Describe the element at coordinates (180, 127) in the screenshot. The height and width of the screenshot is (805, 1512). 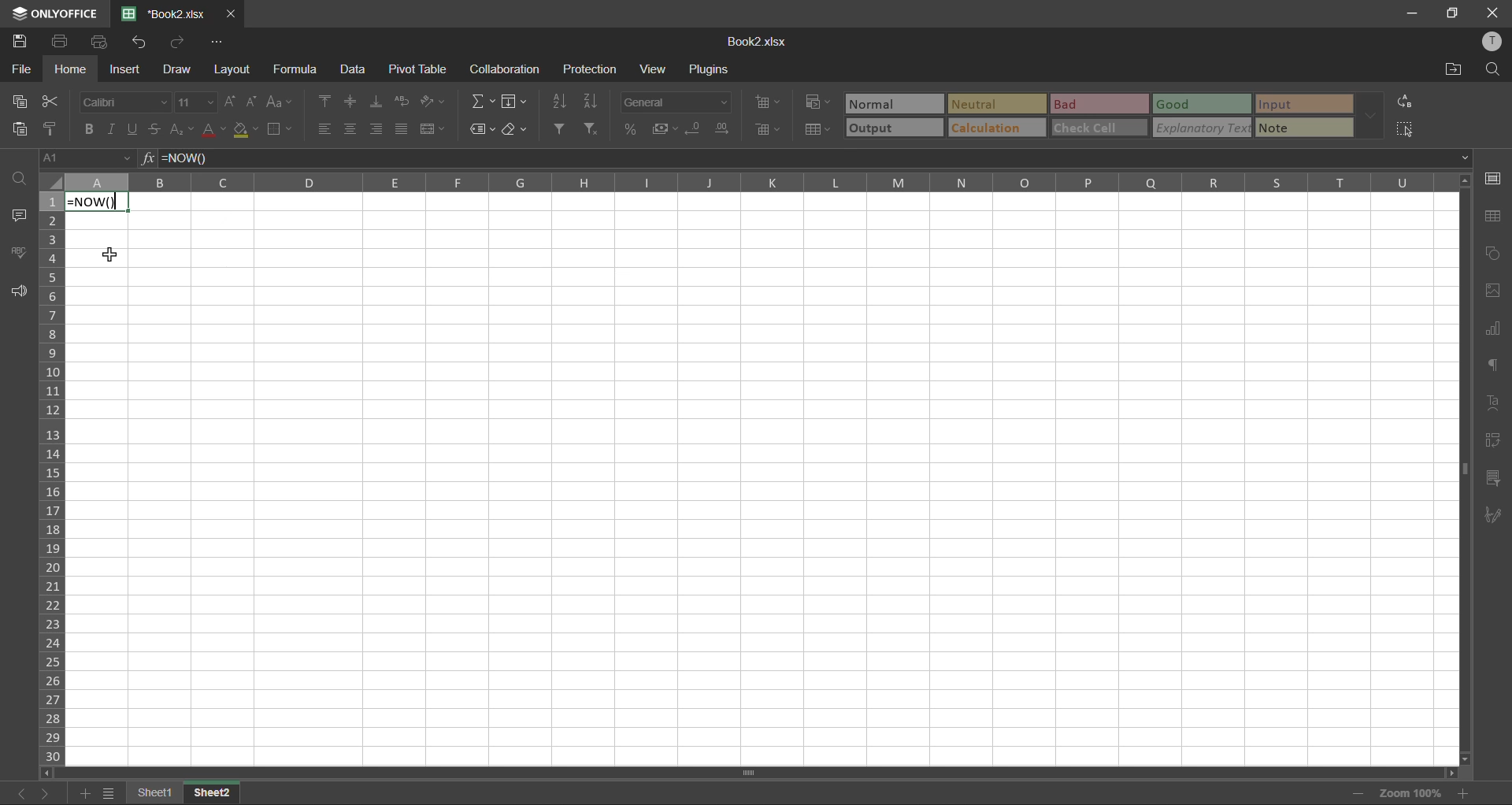
I see `sub/superscript` at that location.